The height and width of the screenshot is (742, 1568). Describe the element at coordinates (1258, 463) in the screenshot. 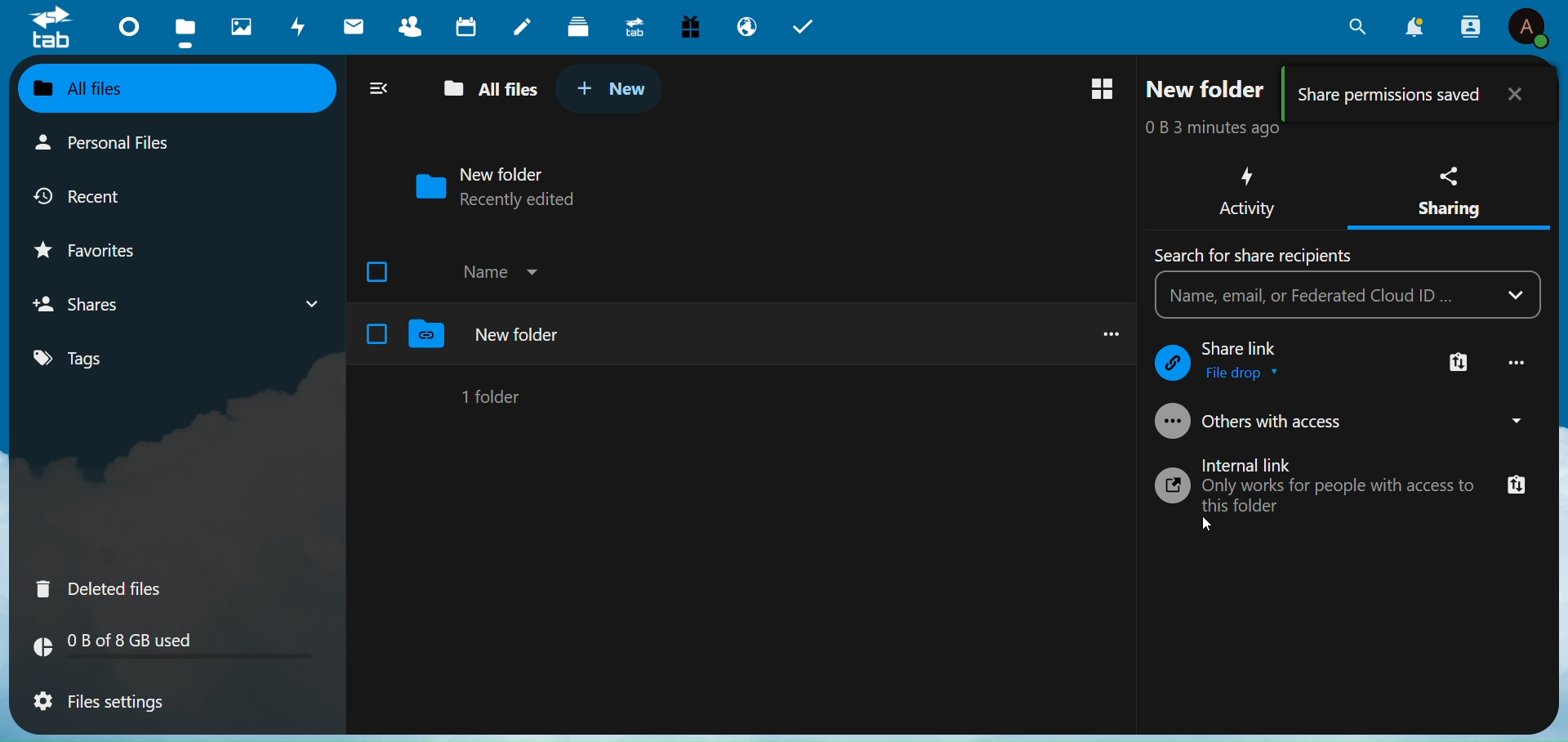

I see `Internal Link` at that location.